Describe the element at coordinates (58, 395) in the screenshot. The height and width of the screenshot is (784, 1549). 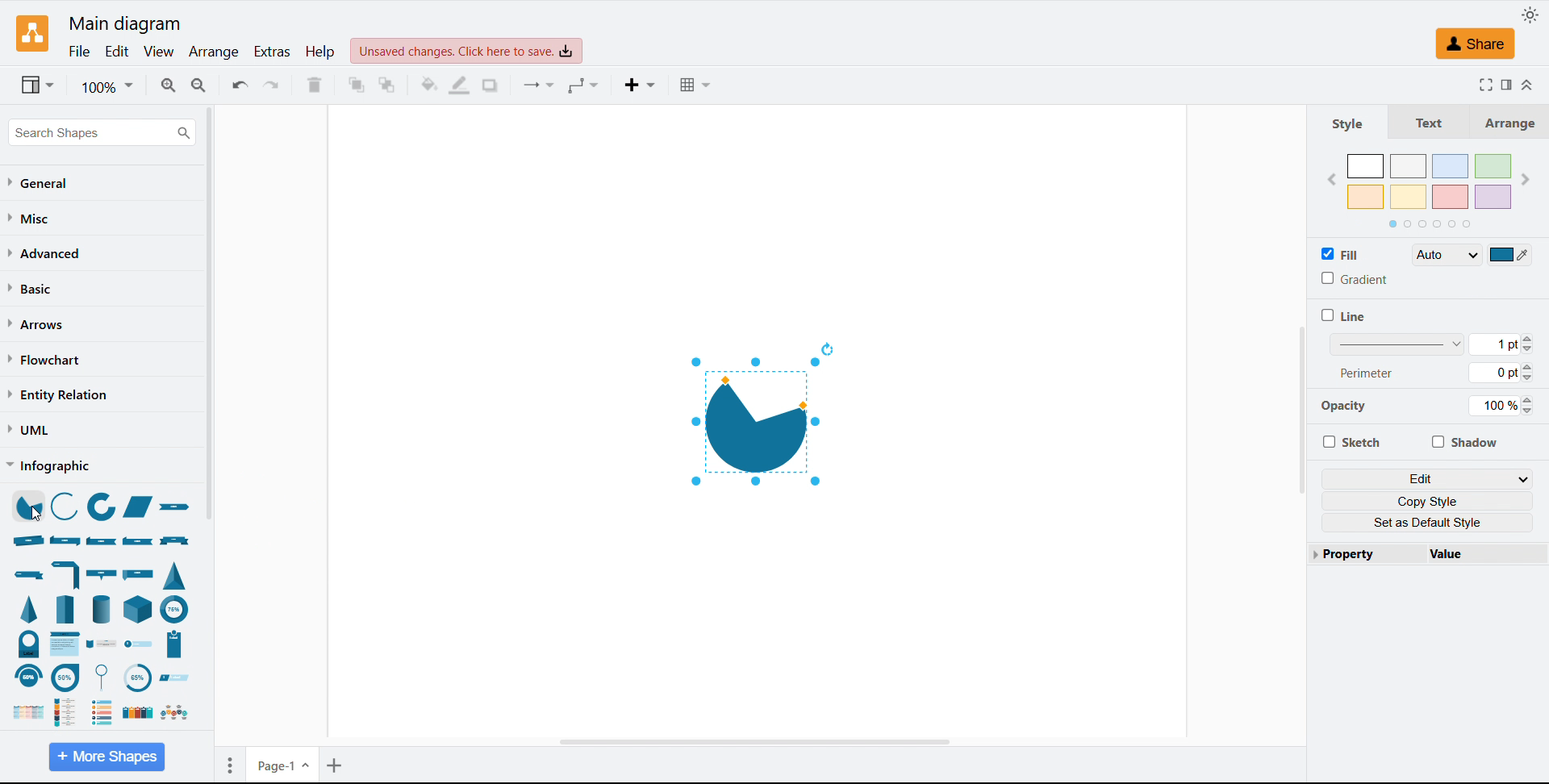
I see `entity relation` at that location.